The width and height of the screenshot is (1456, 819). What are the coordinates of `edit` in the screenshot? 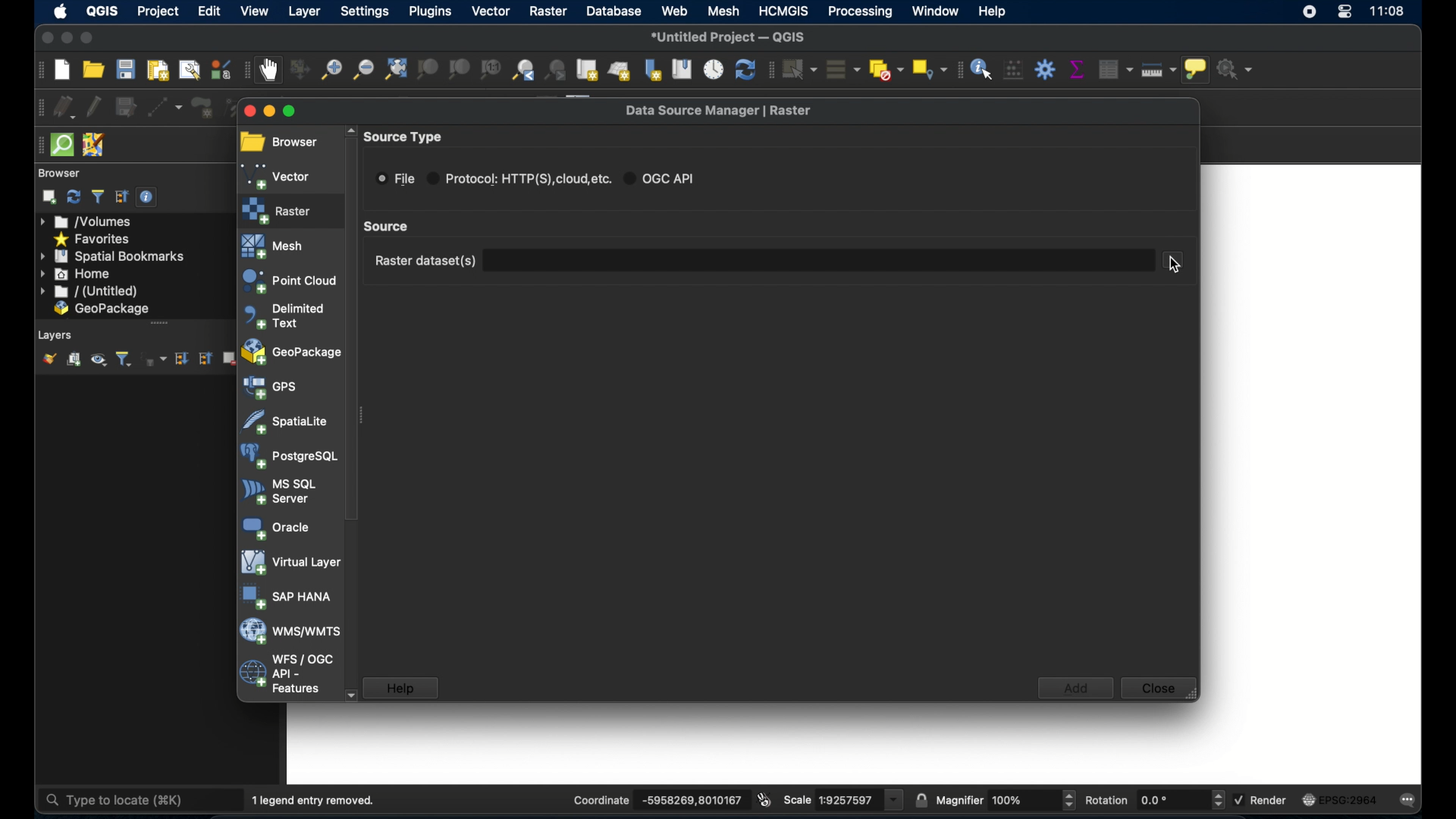 It's located at (211, 12).